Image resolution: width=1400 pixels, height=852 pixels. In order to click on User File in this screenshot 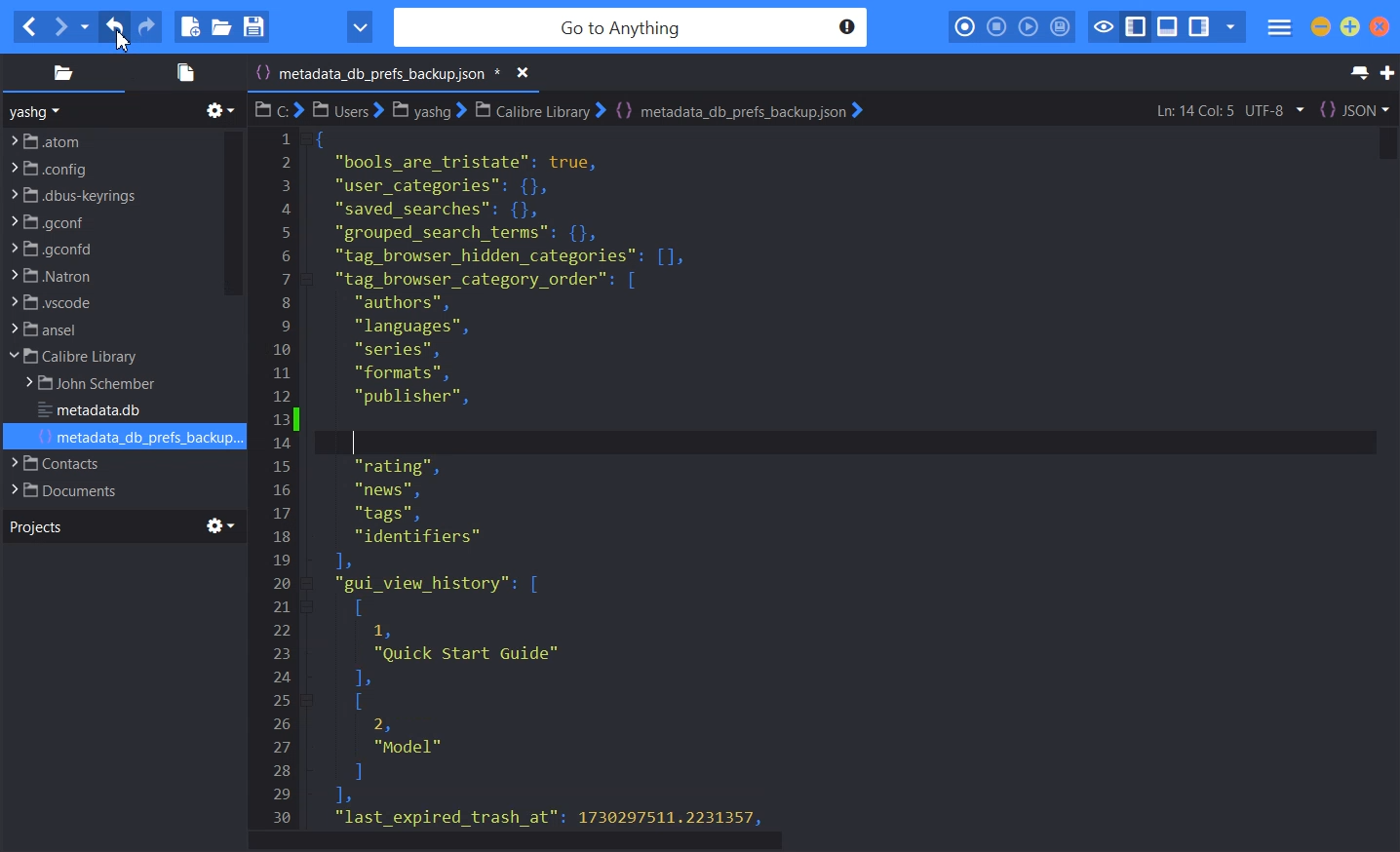, I will do `click(348, 109)`.